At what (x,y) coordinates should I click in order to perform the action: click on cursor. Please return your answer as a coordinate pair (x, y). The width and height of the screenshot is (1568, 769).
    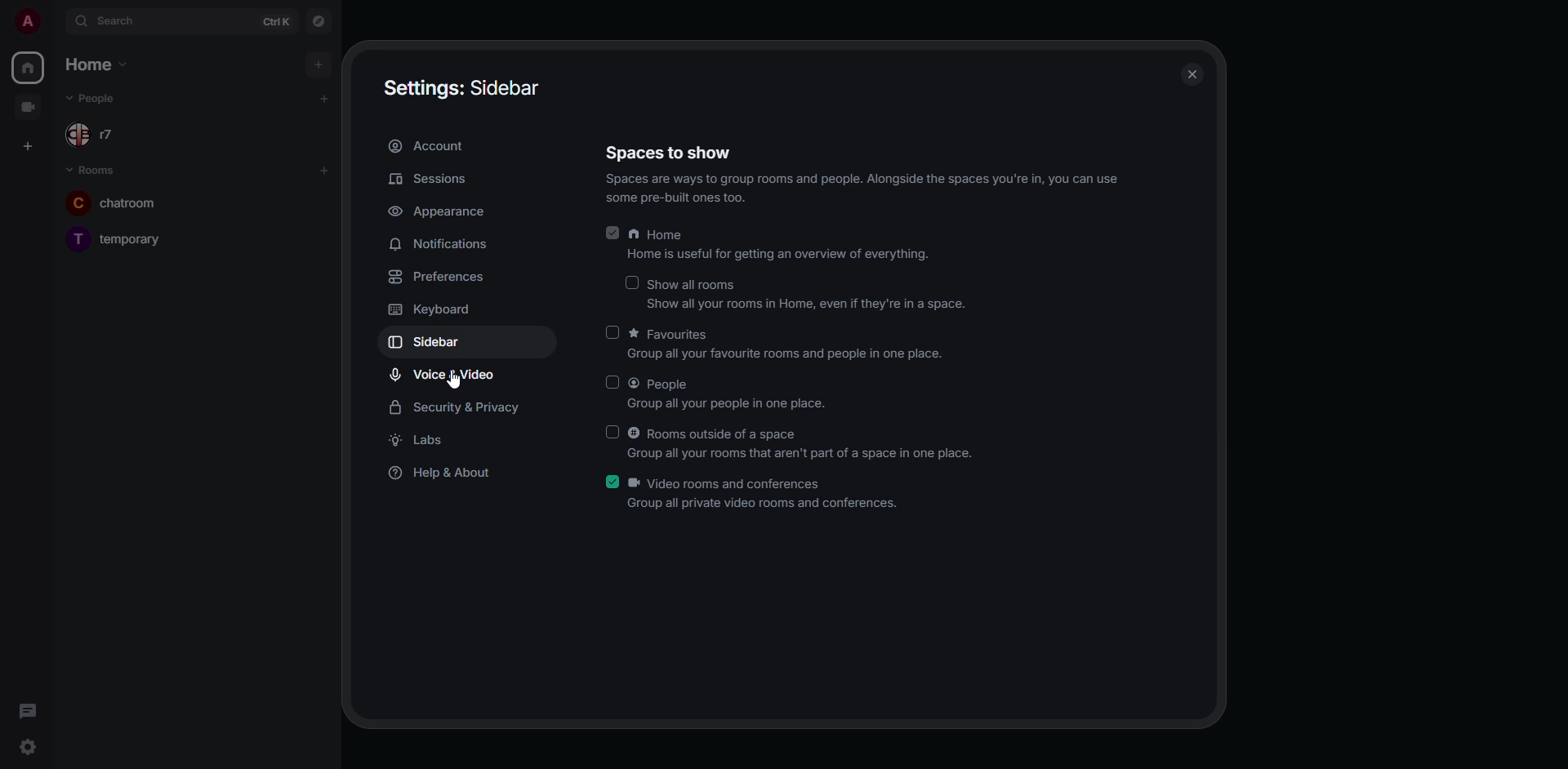
    Looking at the image, I should click on (453, 382).